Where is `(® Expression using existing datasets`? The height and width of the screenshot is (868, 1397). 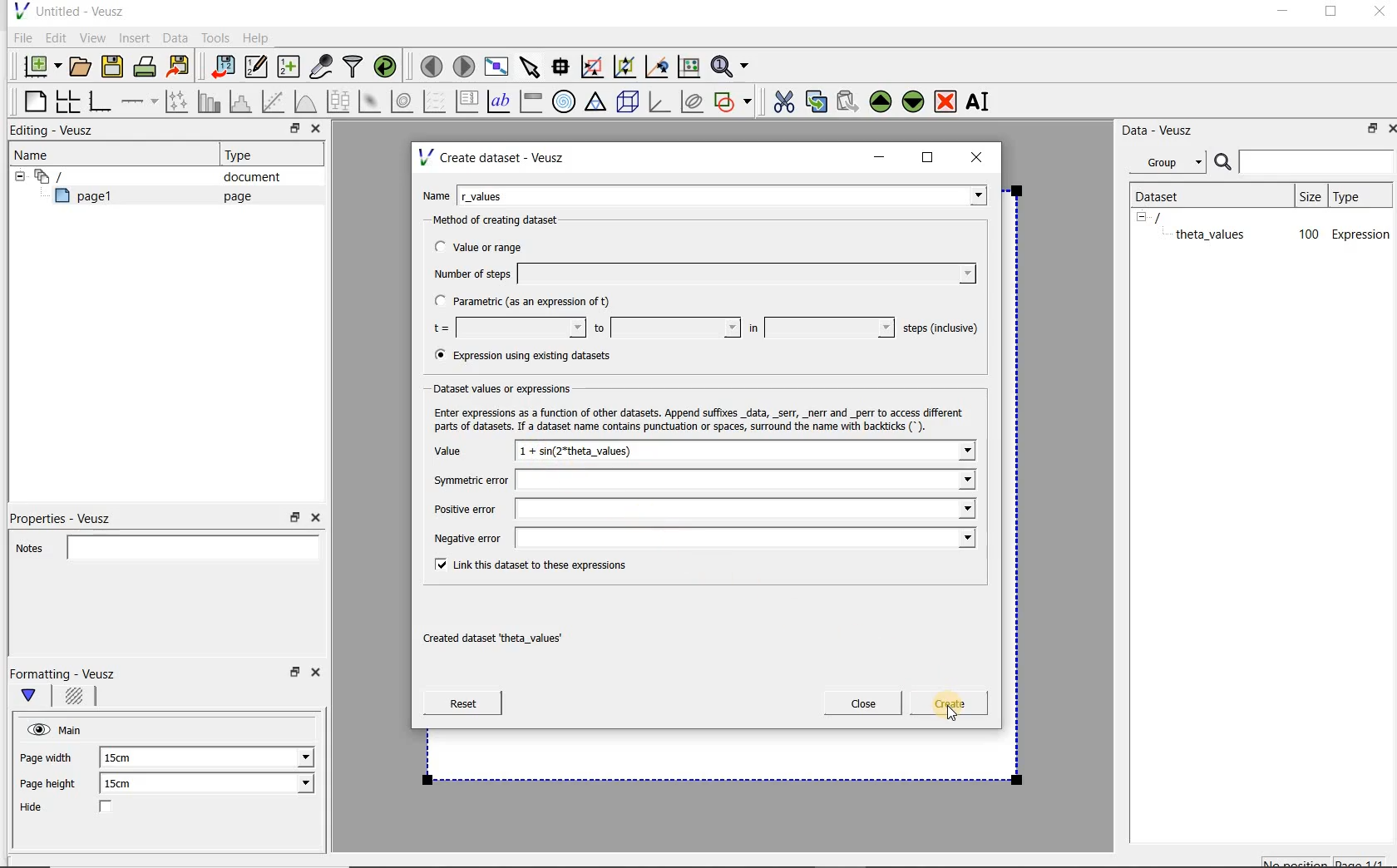 (® Expression using existing datasets is located at coordinates (535, 356).